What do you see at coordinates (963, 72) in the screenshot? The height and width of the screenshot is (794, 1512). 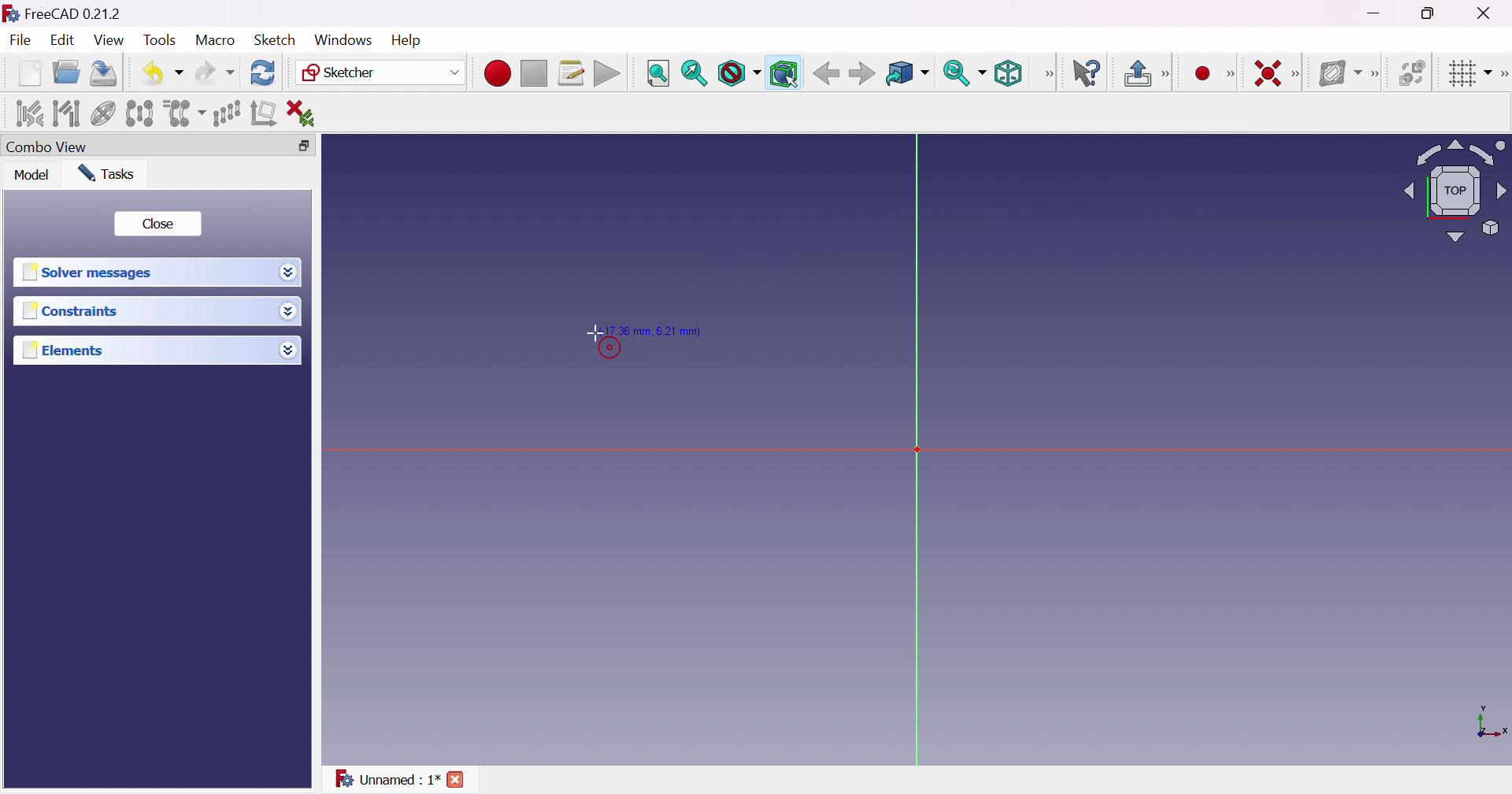 I see `Sync view` at bounding box center [963, 72].